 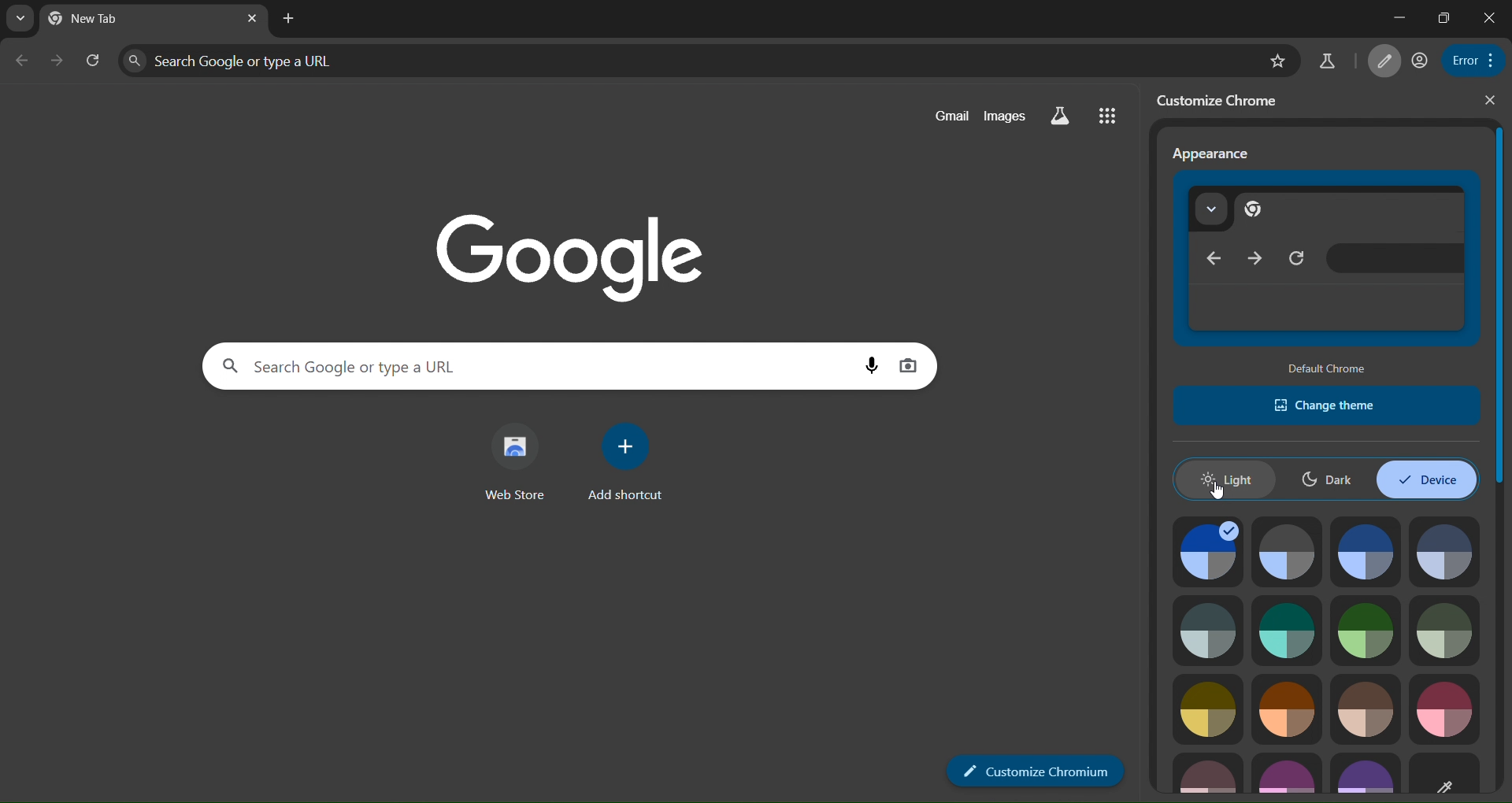 I want to click on image, so click(x=1203, y=550).